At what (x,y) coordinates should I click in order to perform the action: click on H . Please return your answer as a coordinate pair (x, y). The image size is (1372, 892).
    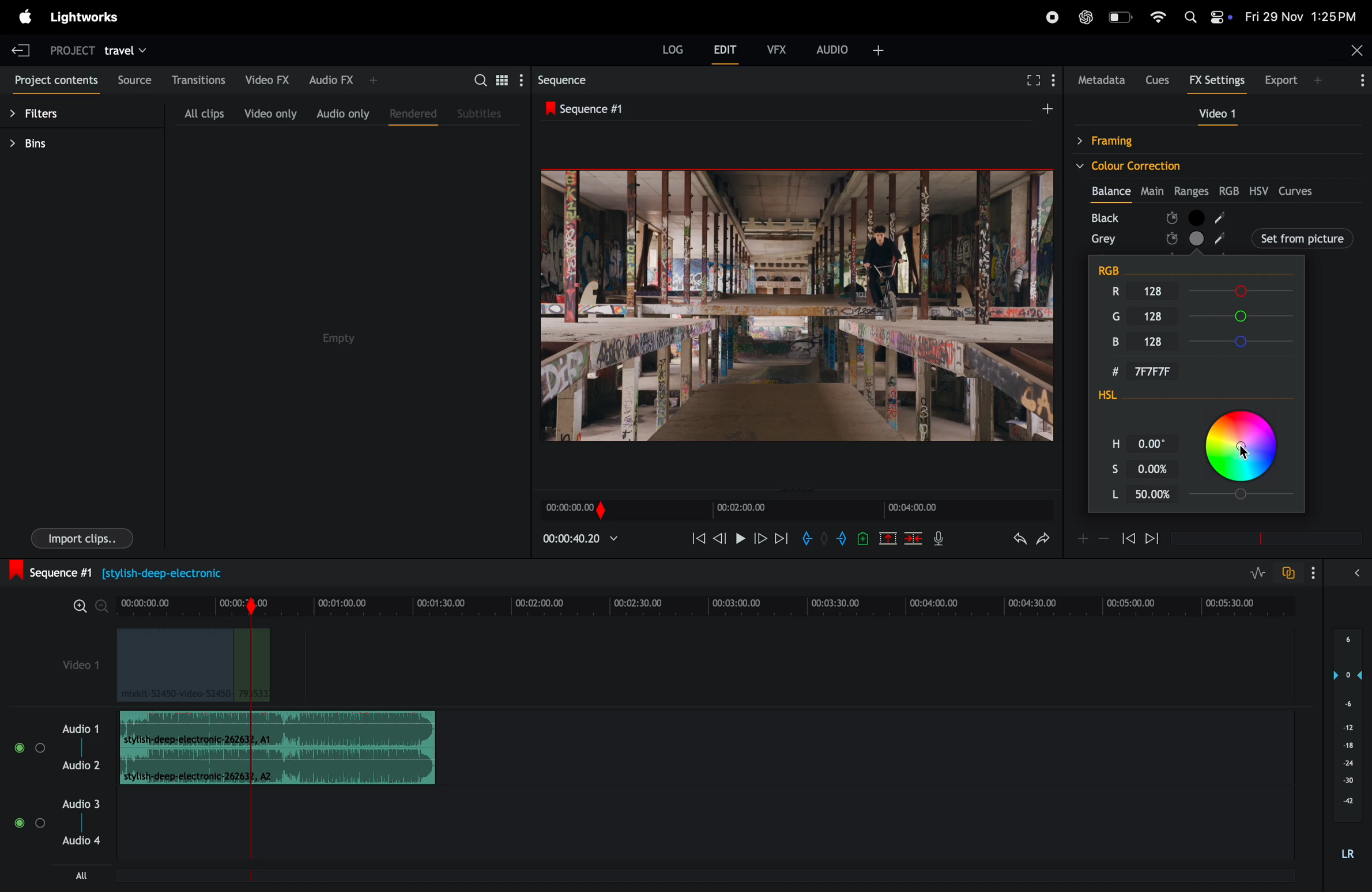
    Looking at the image, I should click on (1109, 441).